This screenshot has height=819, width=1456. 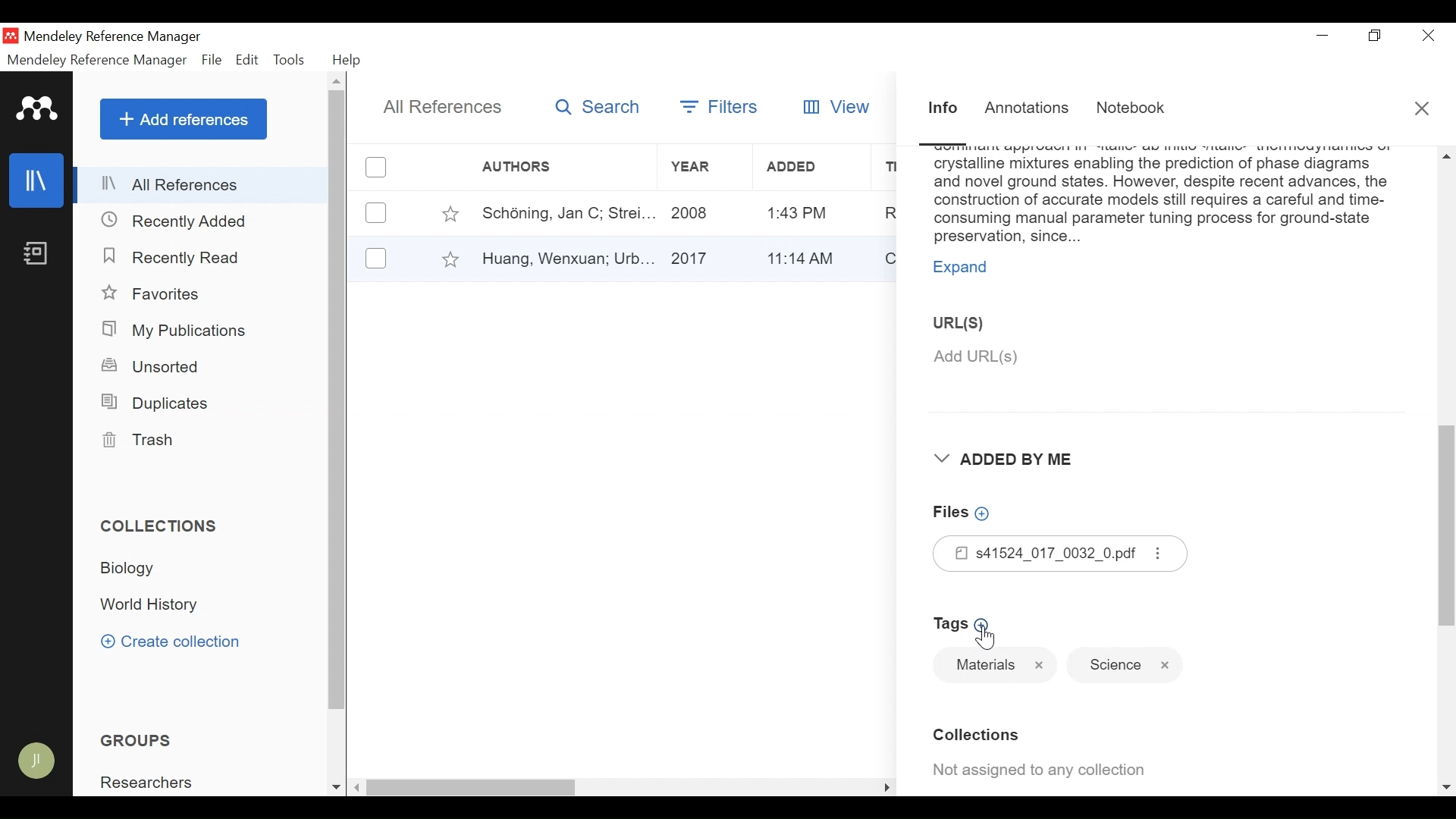 I want to click on All References, so click(x=441, y=108).